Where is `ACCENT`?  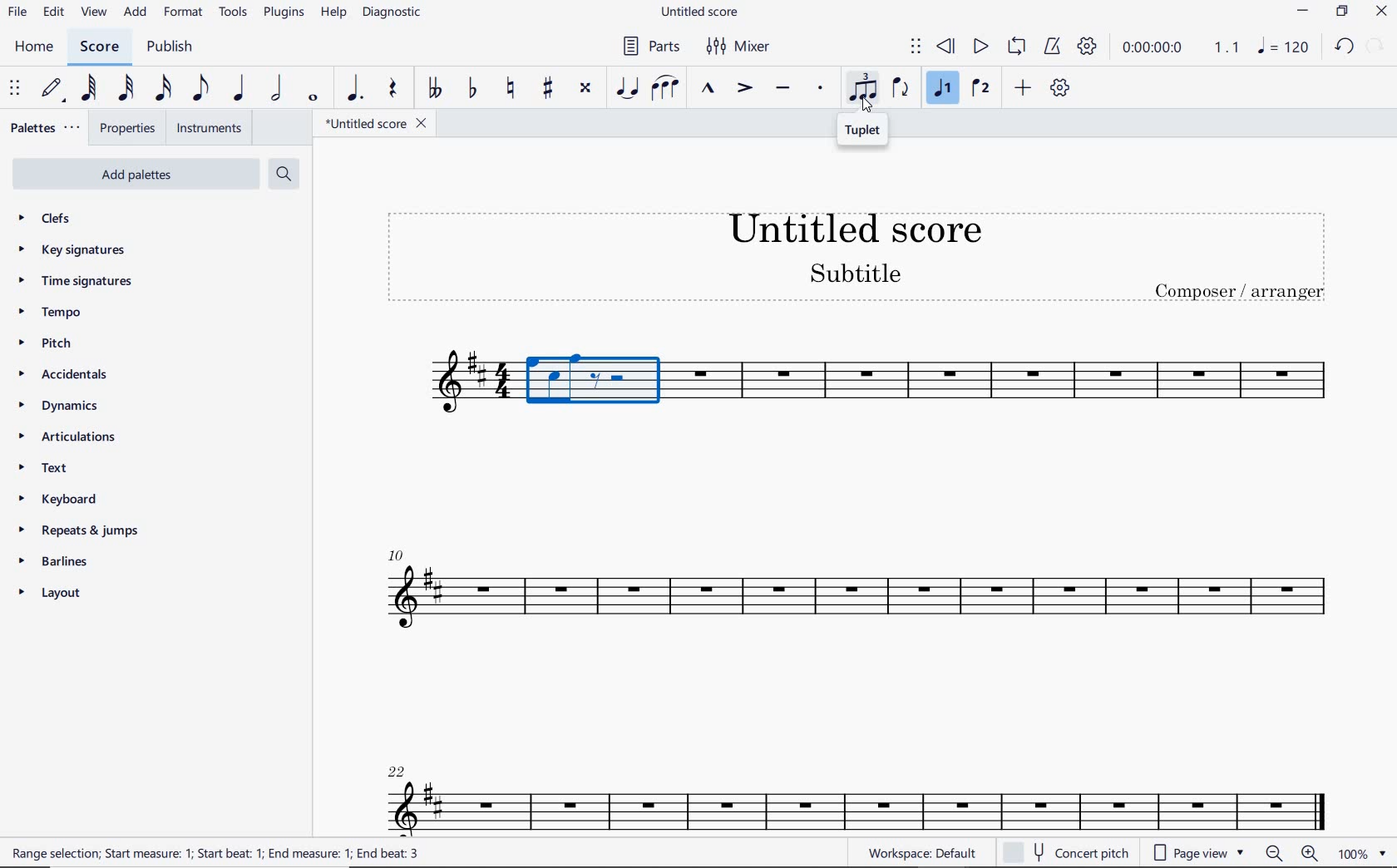
ACCENT is located at coordinates (745, 91).